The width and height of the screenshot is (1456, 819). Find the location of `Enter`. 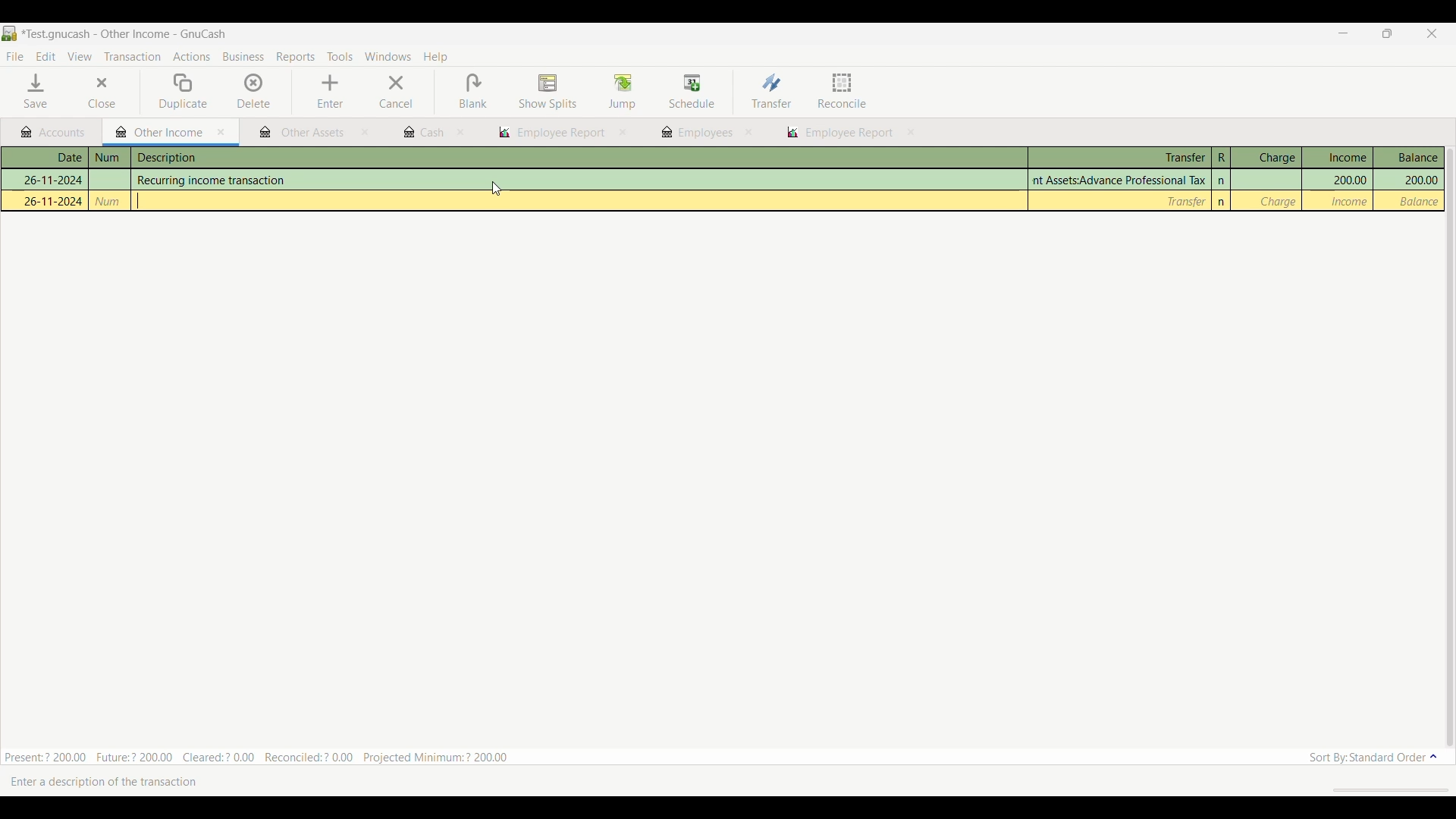

Enter is located at coordinates (330, 92).